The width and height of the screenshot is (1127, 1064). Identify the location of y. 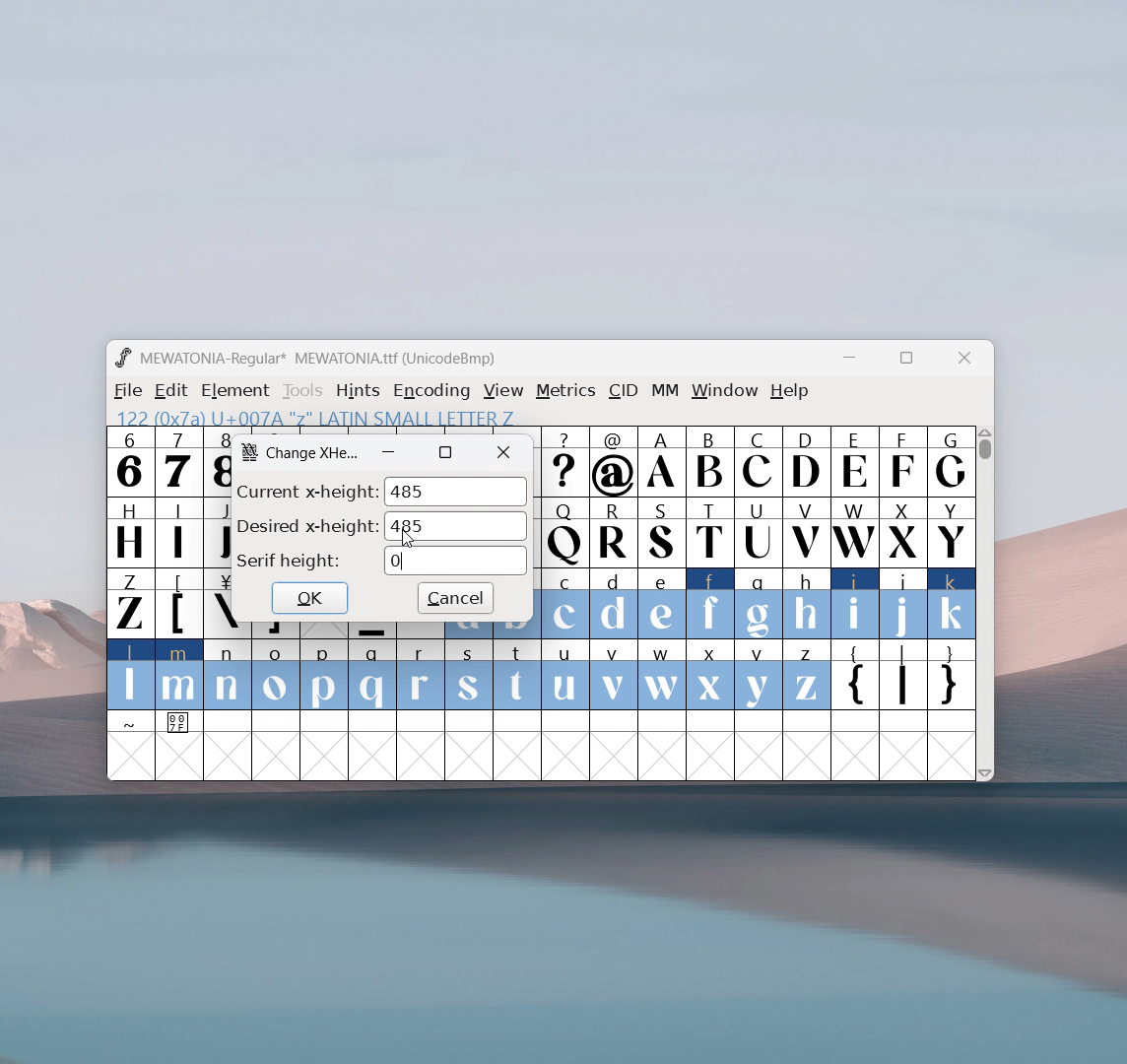
(760, 676).